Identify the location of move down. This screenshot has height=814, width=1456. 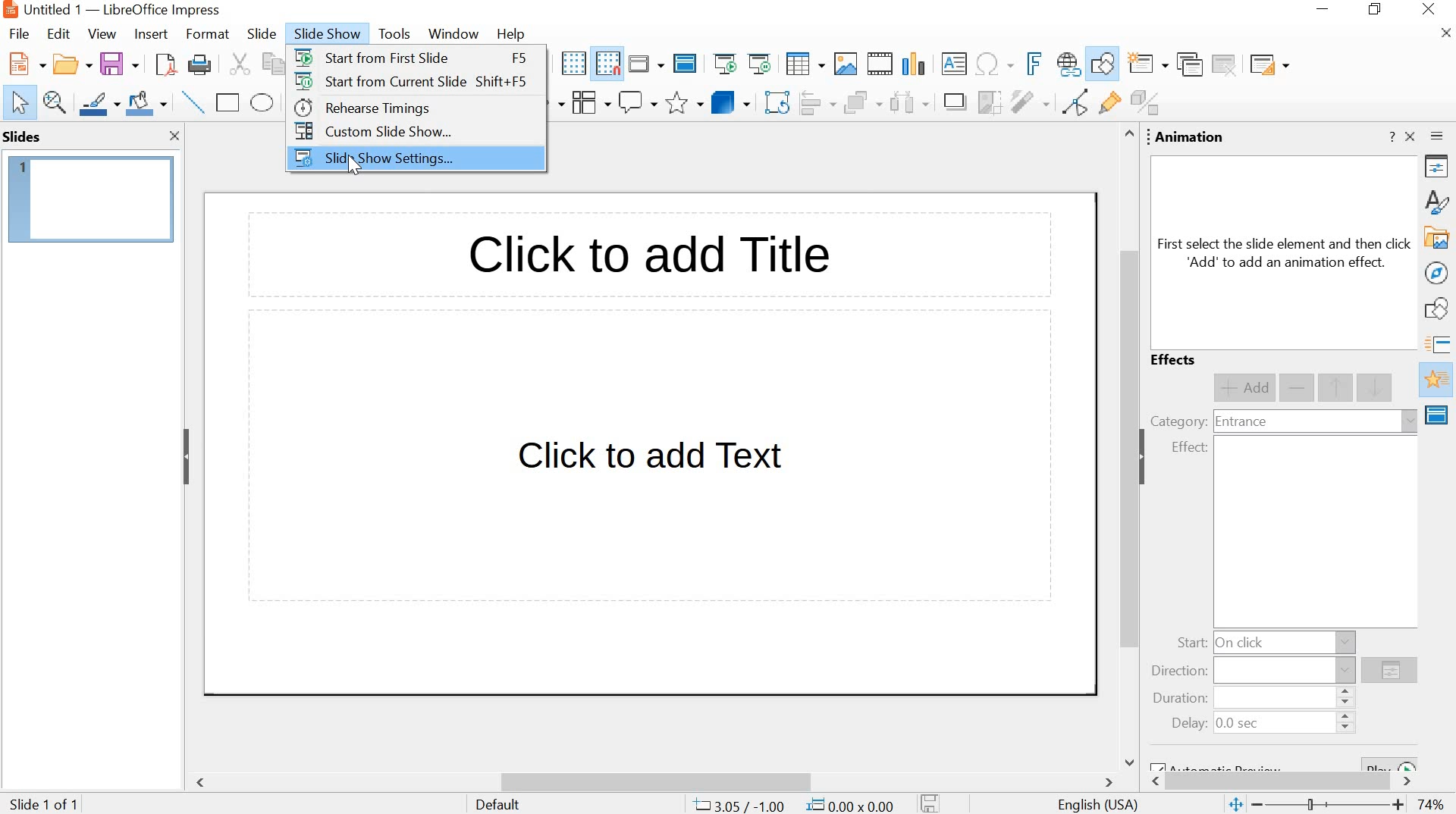
(1376, 387).